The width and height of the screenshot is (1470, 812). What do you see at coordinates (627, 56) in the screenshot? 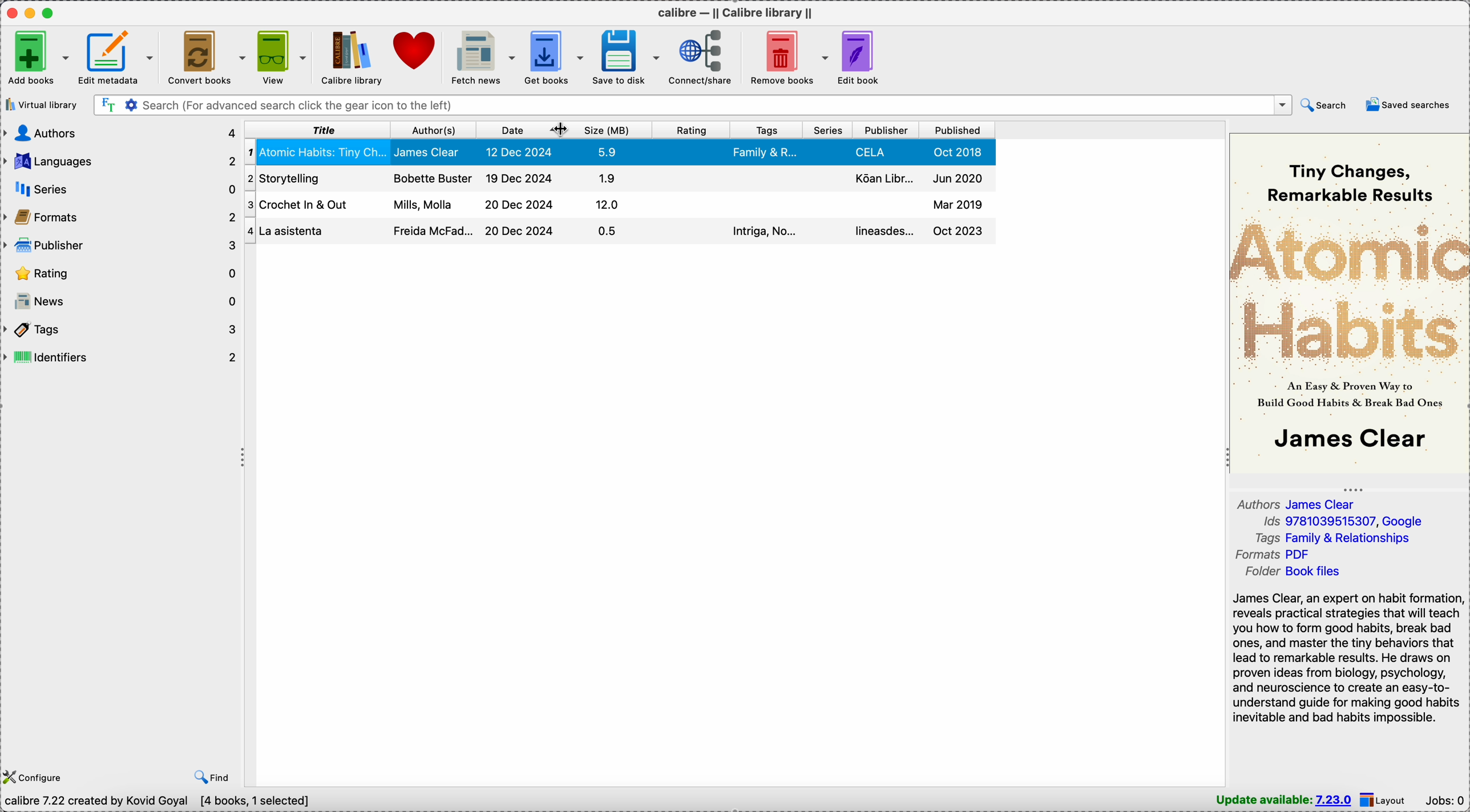
I see `save to disk` at bounding box center [627, 56].